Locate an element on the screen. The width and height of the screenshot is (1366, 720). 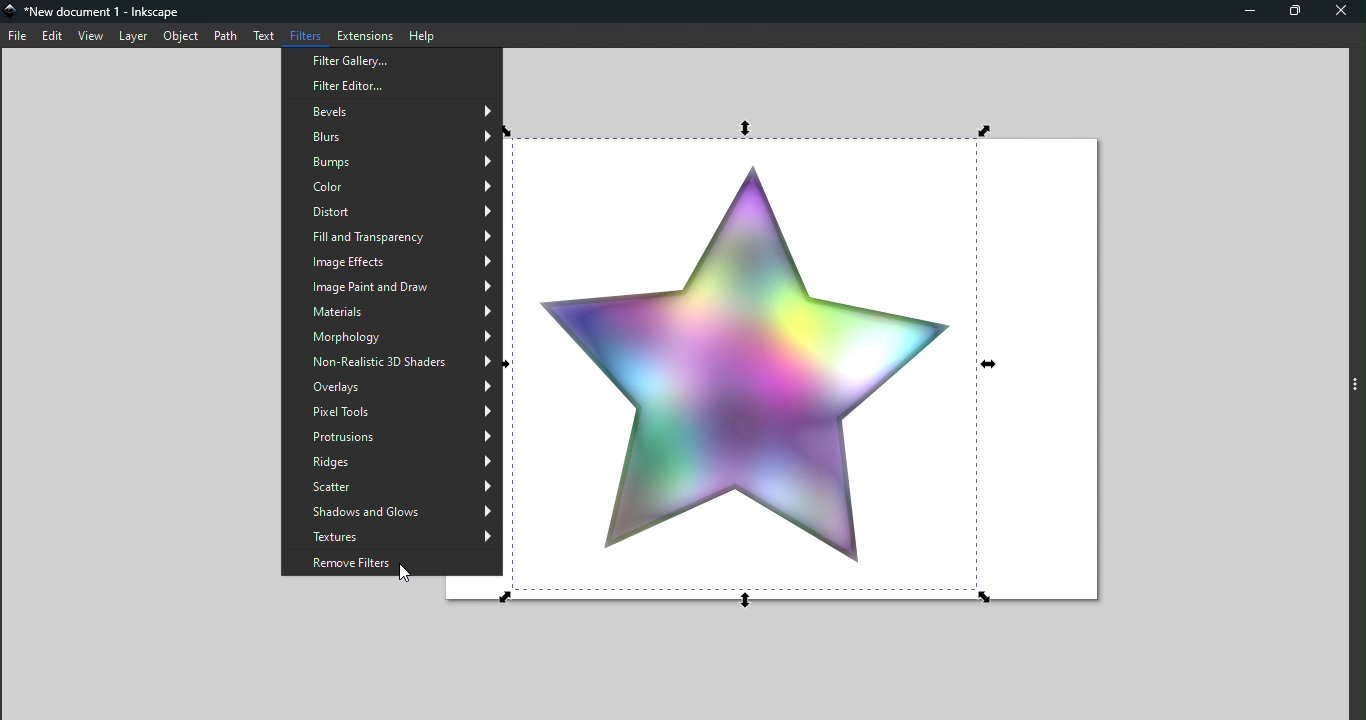
Minimize is located at coordinates (1247, 11).